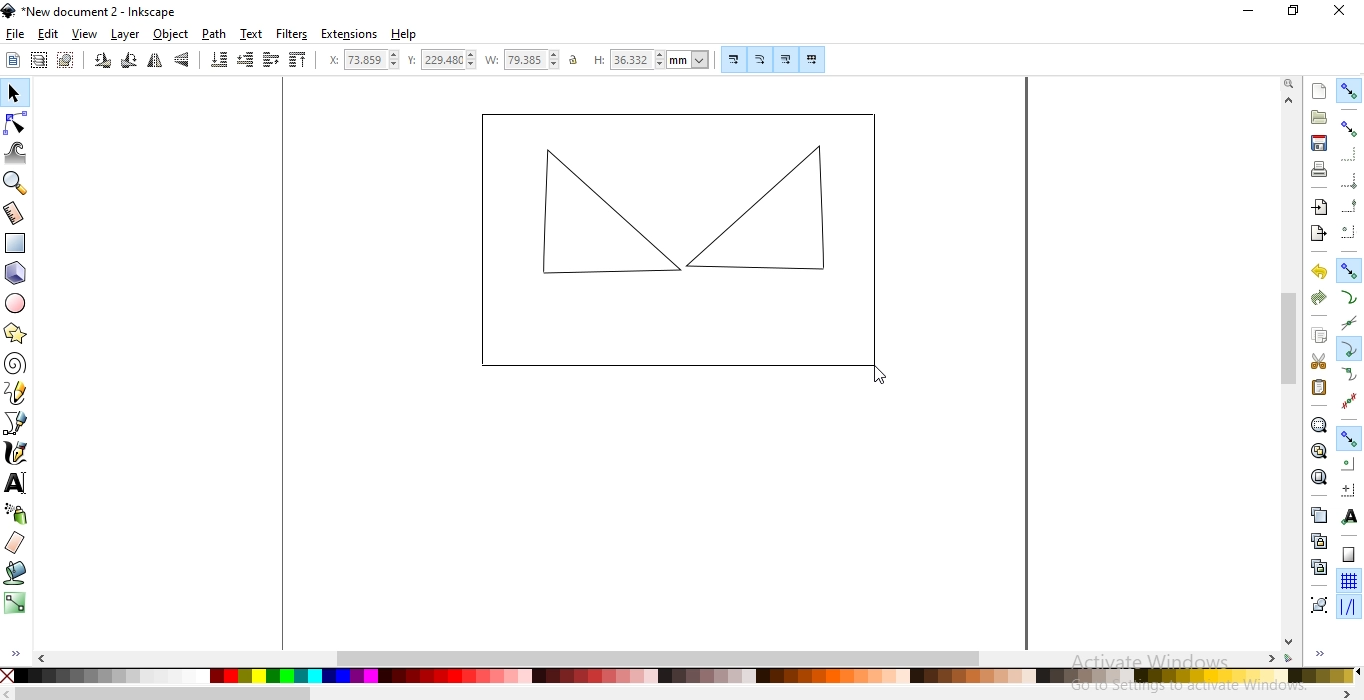 This screenshot has width=1364, height=700. What do you see at coordinates (67, 61) in the screenshot?
I see `deselect any selected objects or nodes` at bounding box center [67, 61].